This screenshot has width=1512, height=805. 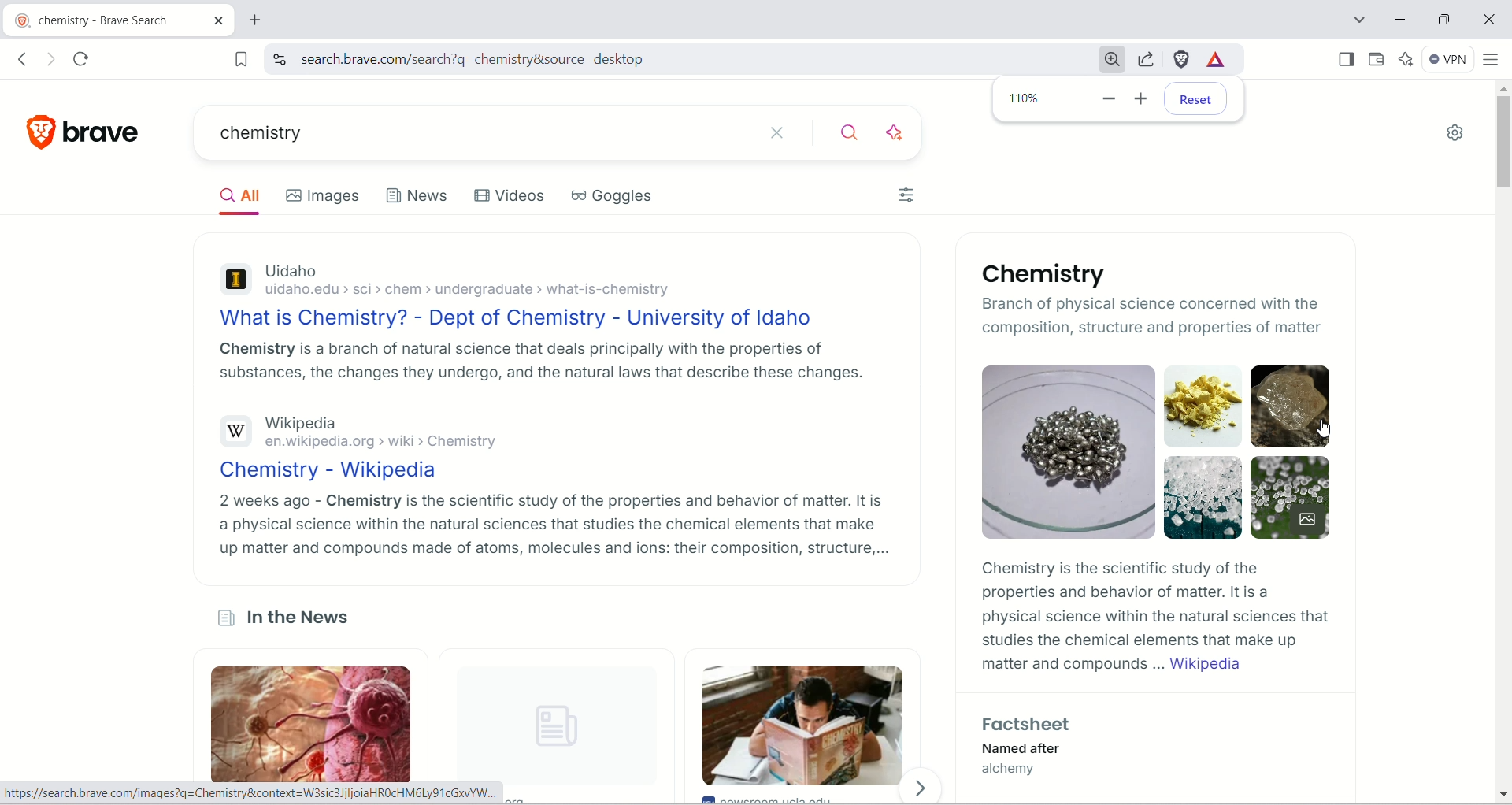 What do you see at coordinates (1146, 59) in the screenshot?
I see `share this page` at bounding box center [1146, 59].